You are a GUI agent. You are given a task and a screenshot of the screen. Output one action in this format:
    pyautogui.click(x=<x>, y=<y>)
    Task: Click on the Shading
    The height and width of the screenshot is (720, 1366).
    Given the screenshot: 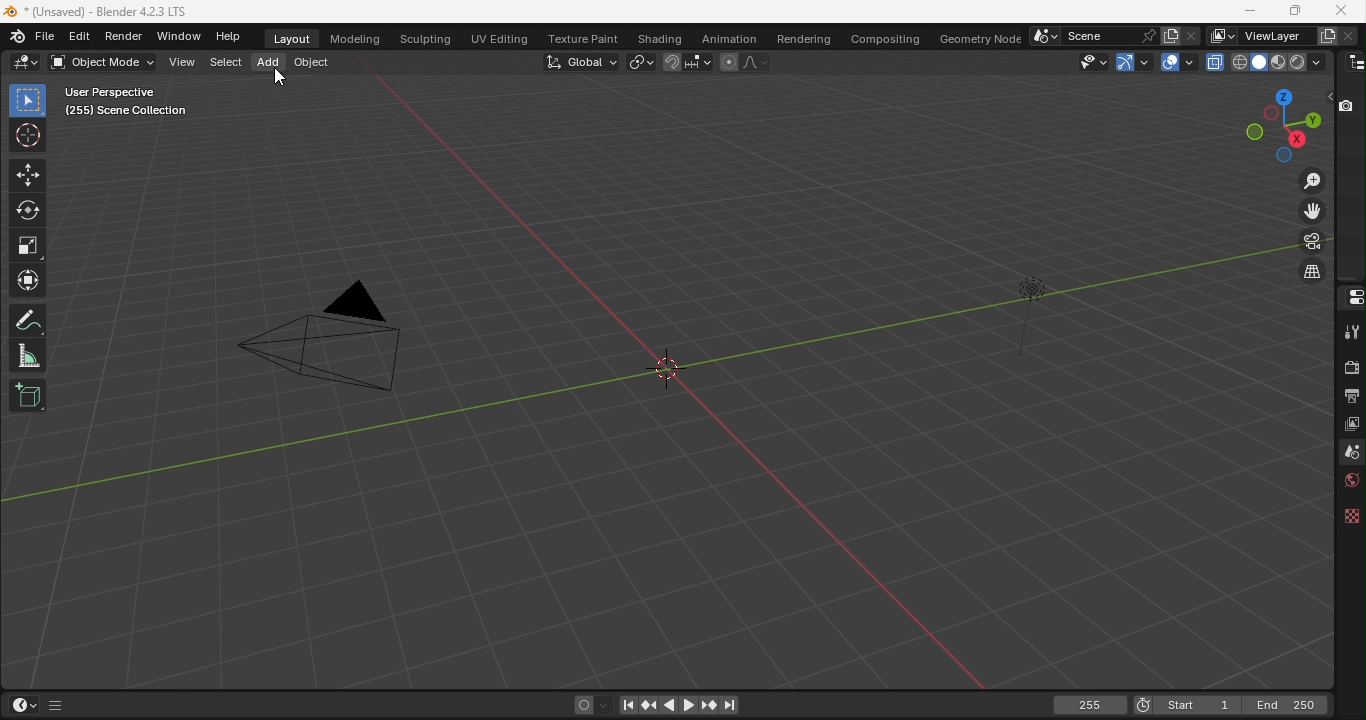 What is the action you would take?
    pyautogui.click(x=660, y=36)
    